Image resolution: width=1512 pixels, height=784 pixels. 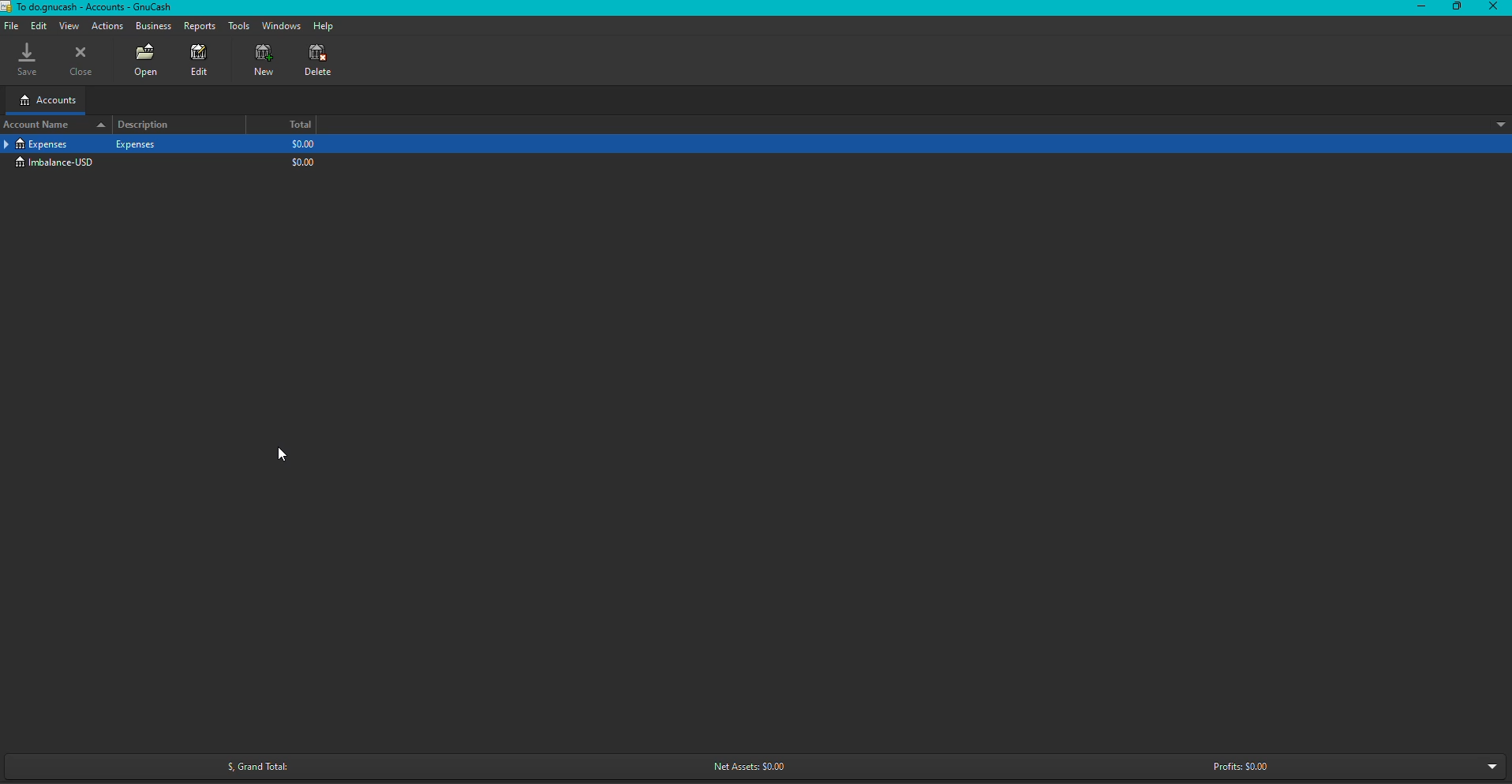 I want to click on Tools, so click(x=236, y=27).